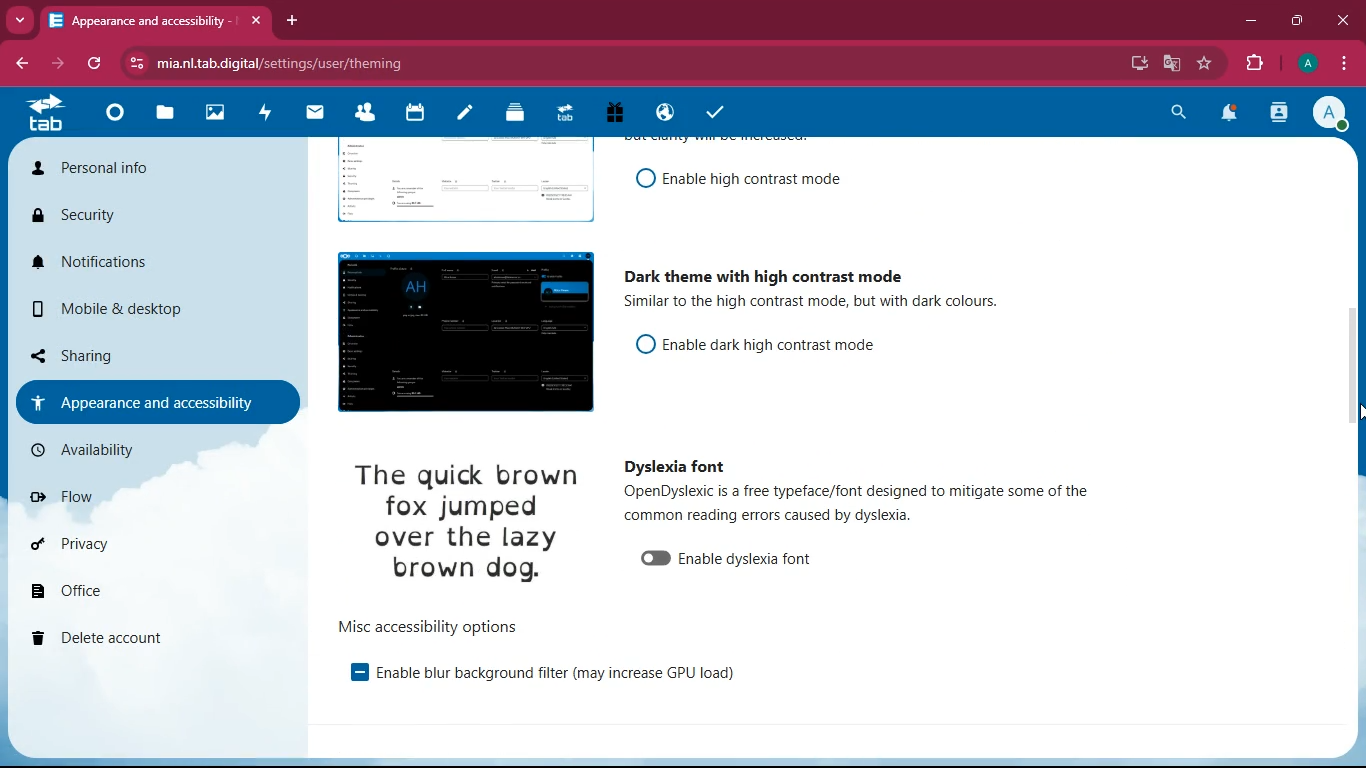  I want to click on activity, so click(1278, 116).